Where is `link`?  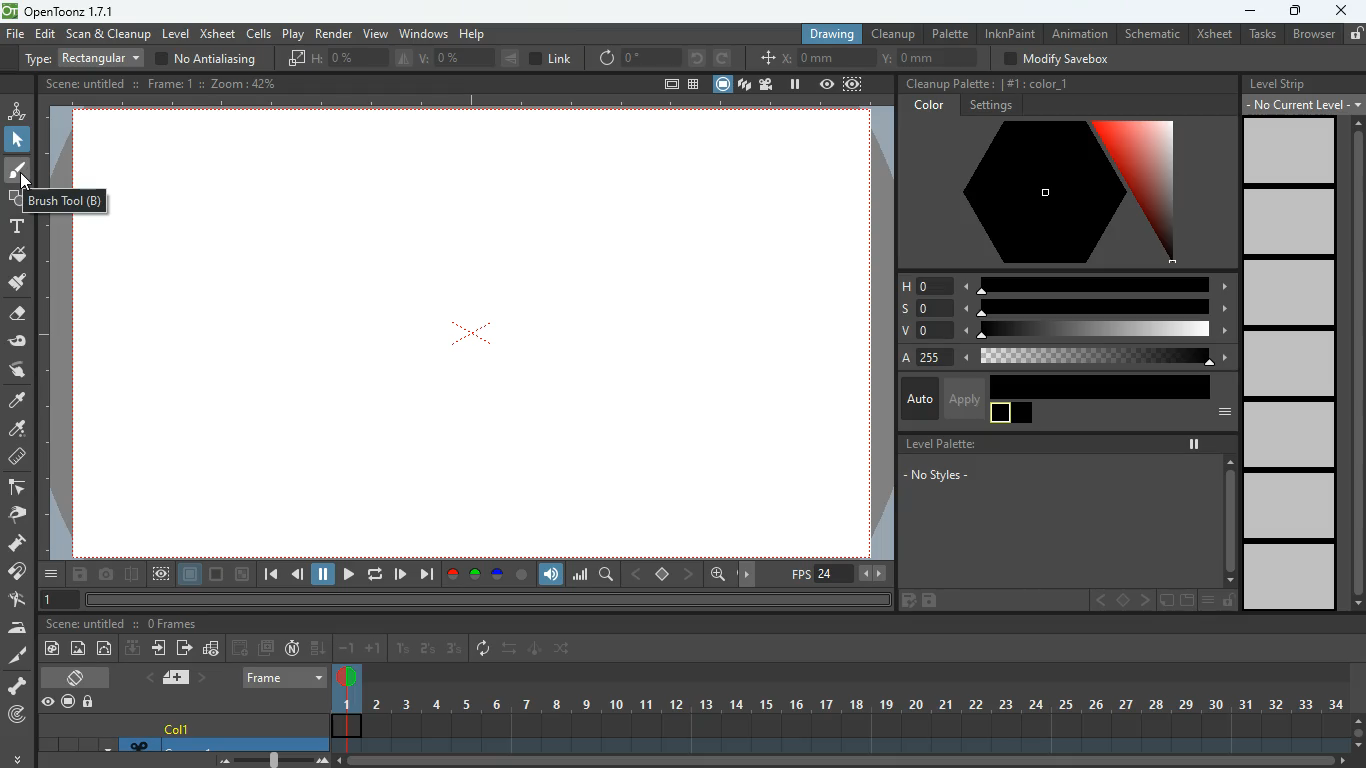
link is located at coordinates (552, 59).